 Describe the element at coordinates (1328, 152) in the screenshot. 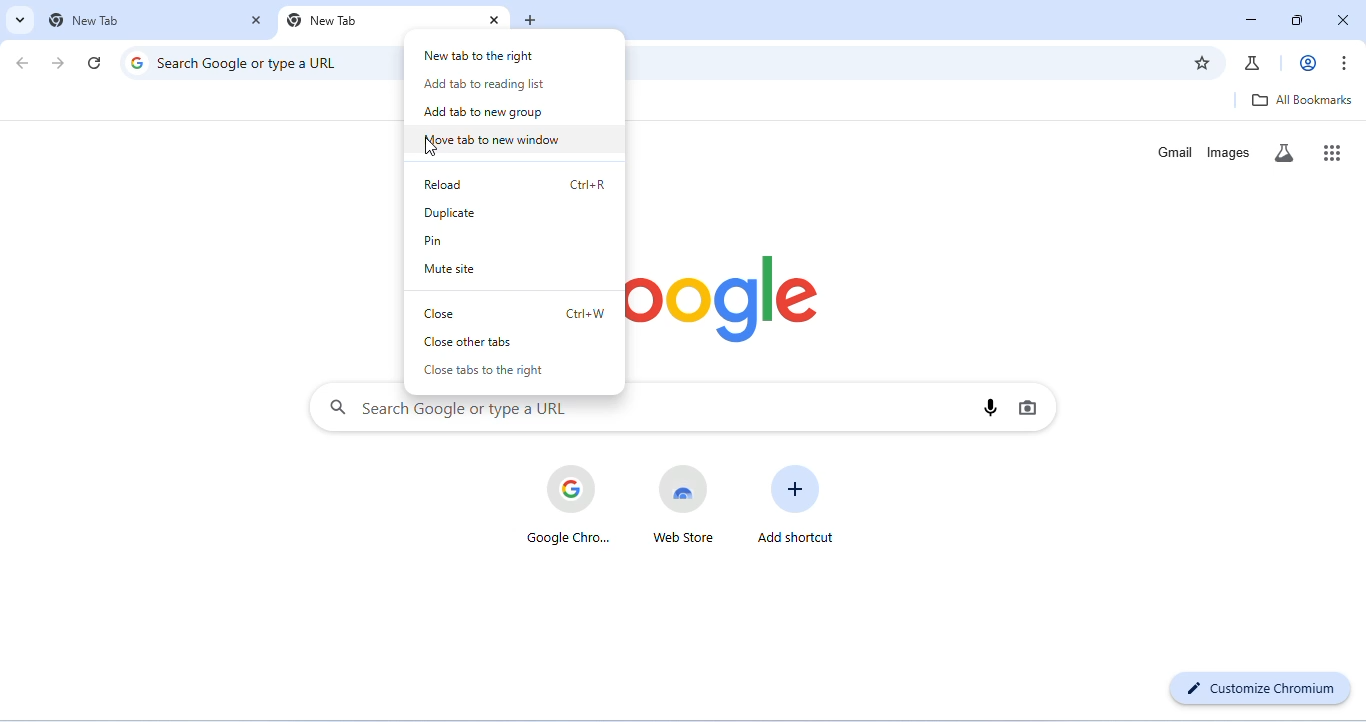

I see `google apps` at that location.